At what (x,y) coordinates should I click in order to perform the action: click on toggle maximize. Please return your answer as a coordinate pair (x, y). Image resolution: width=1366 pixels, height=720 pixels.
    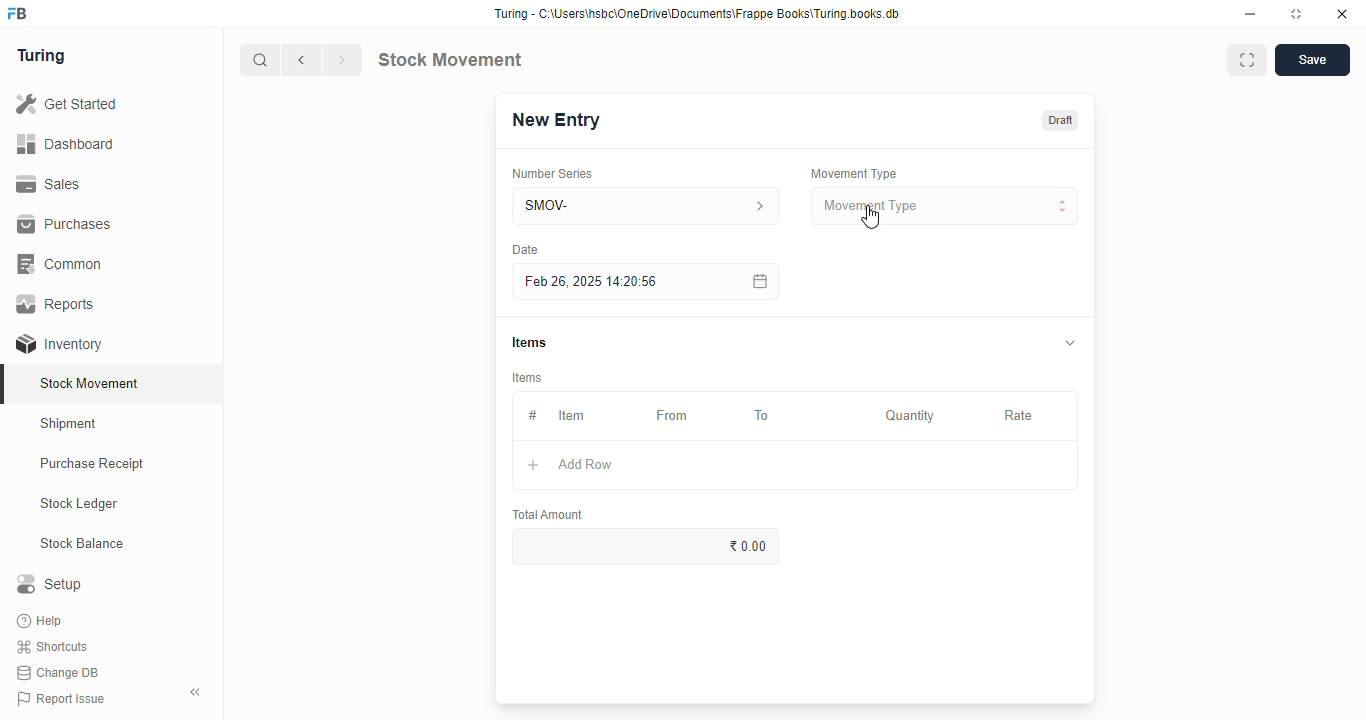
    Looking at the image, I should click on (1295, 14).